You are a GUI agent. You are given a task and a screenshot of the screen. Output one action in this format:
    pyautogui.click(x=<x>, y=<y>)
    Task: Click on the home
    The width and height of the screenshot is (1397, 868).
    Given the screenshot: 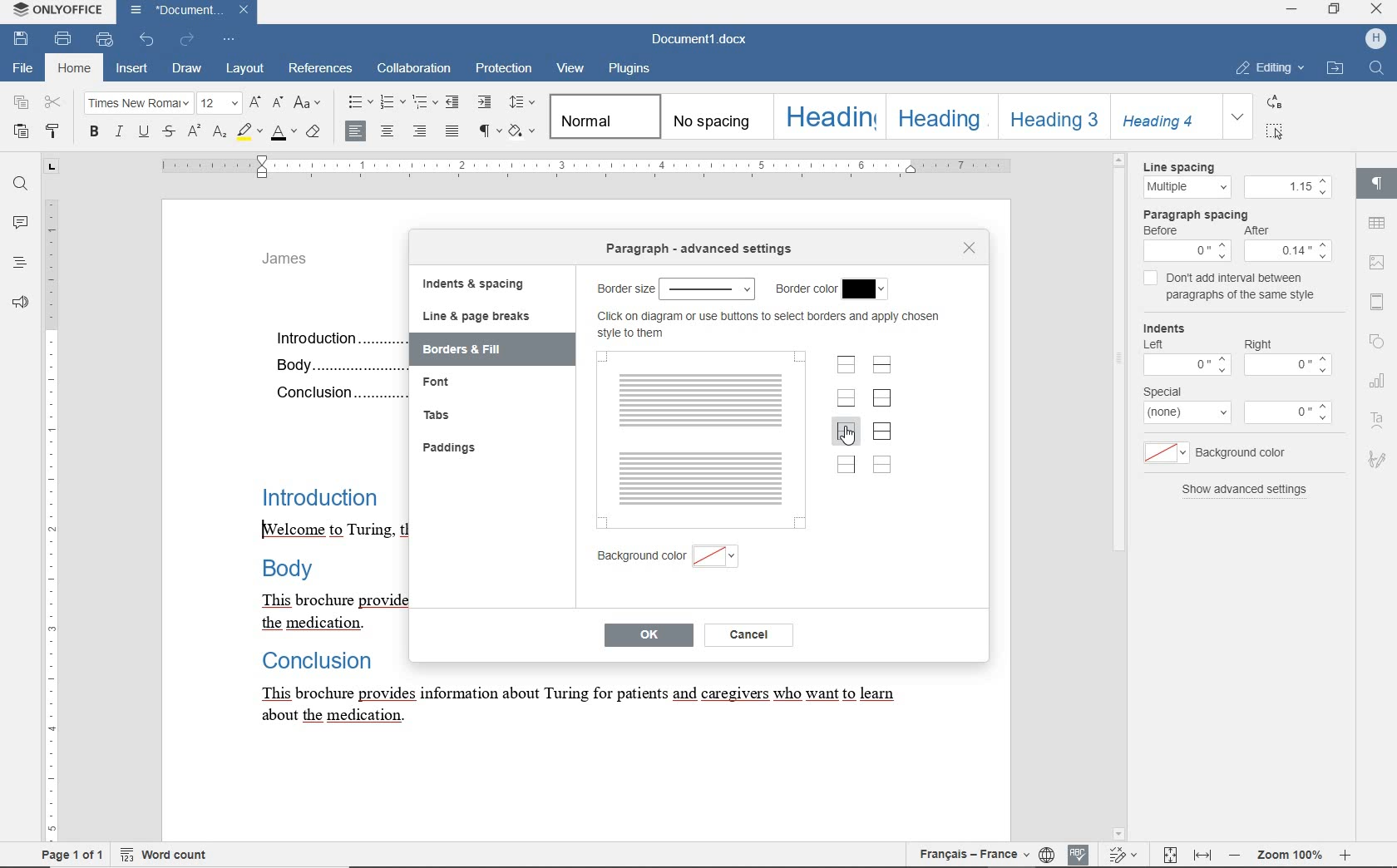 What is the action you would take?
    pyautogui.click(x=74, y=71)
    